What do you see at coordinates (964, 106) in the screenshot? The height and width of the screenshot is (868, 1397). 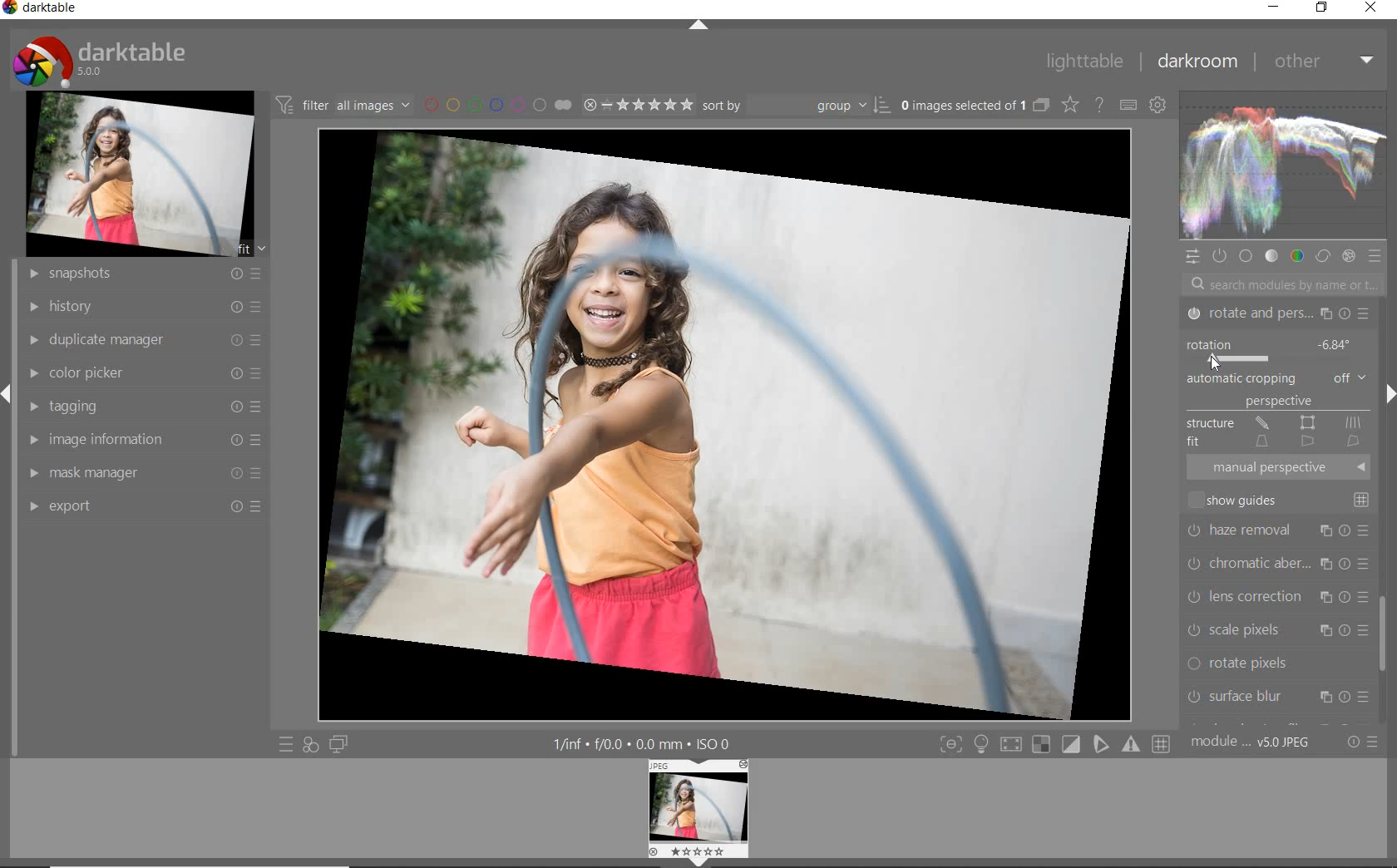 I see `selected images` at bounding box center [964, 106].